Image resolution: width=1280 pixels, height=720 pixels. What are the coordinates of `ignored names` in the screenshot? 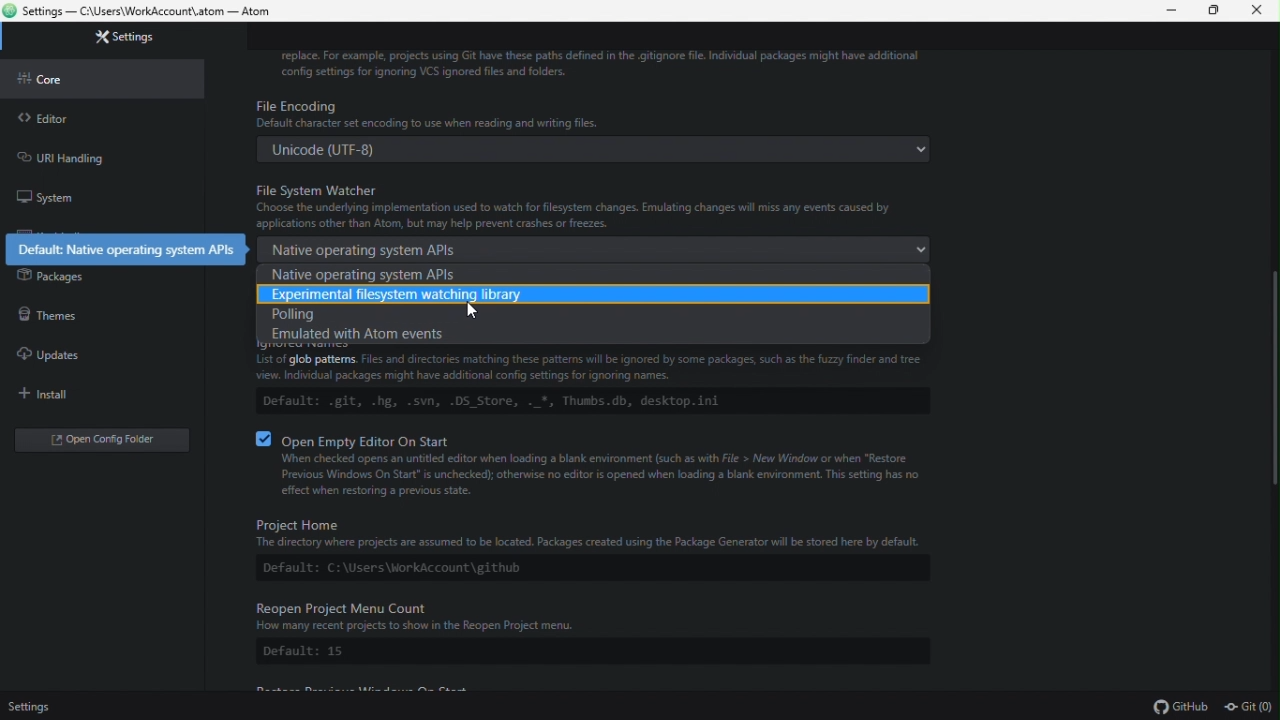 It's located at (601, 385).